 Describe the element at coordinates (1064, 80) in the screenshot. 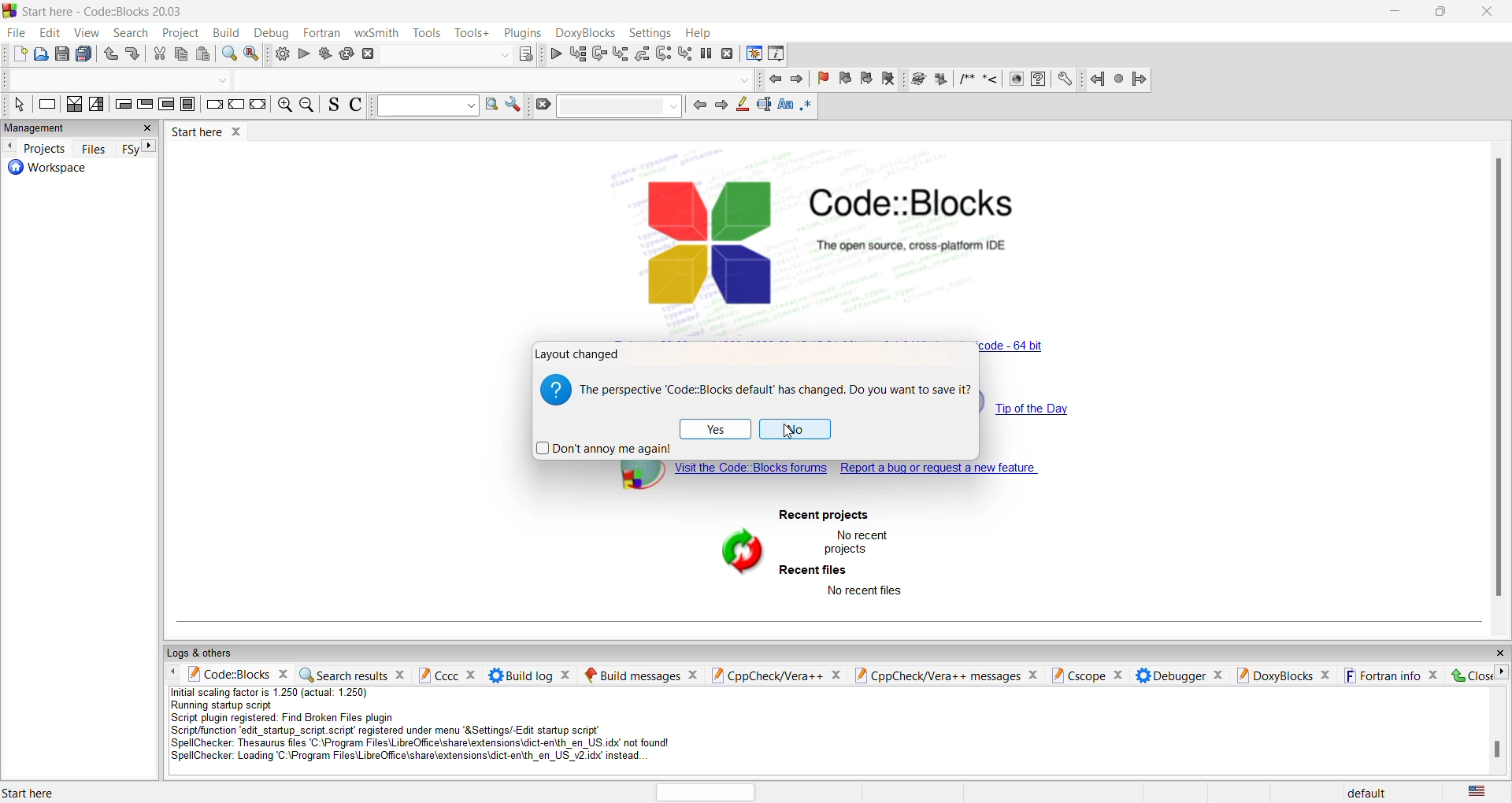

I see `settings` at that location.